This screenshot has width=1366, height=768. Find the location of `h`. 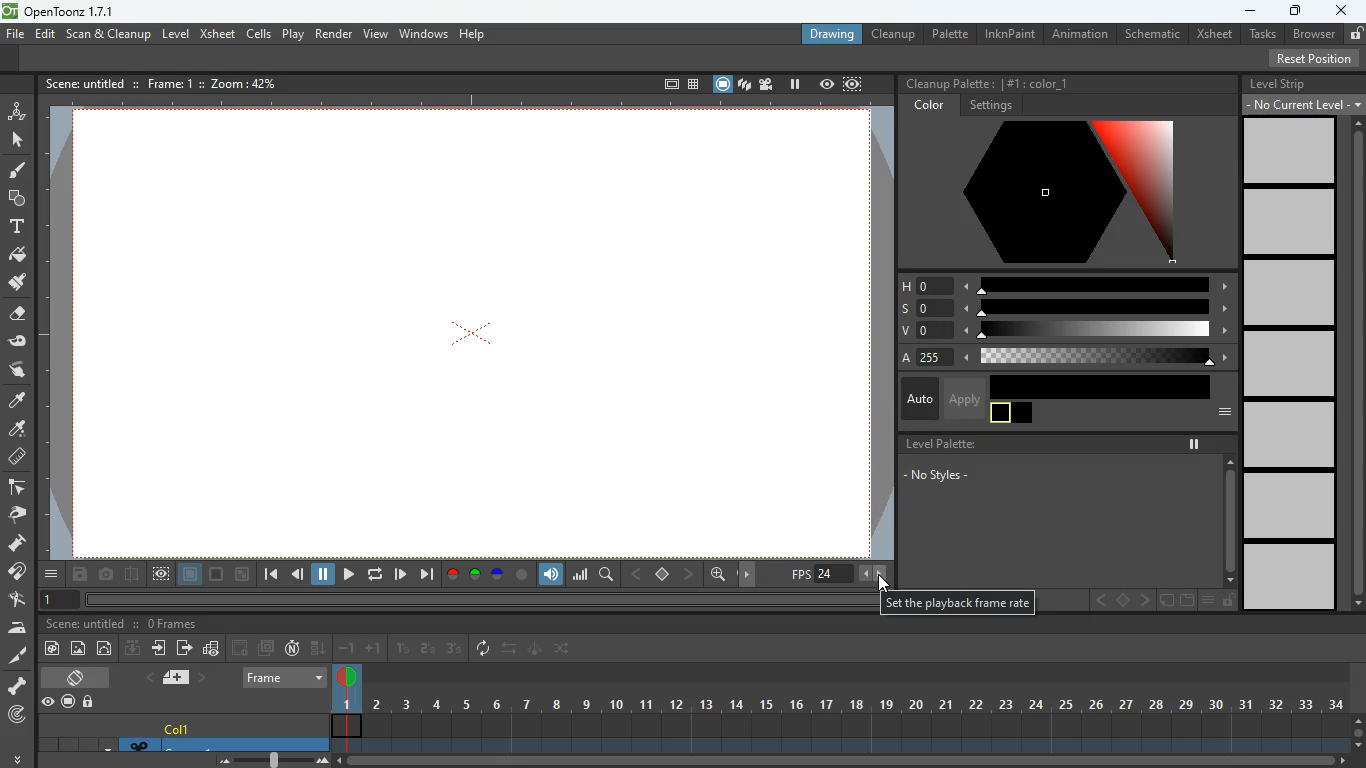

h is located at coordinates (1066, 287).